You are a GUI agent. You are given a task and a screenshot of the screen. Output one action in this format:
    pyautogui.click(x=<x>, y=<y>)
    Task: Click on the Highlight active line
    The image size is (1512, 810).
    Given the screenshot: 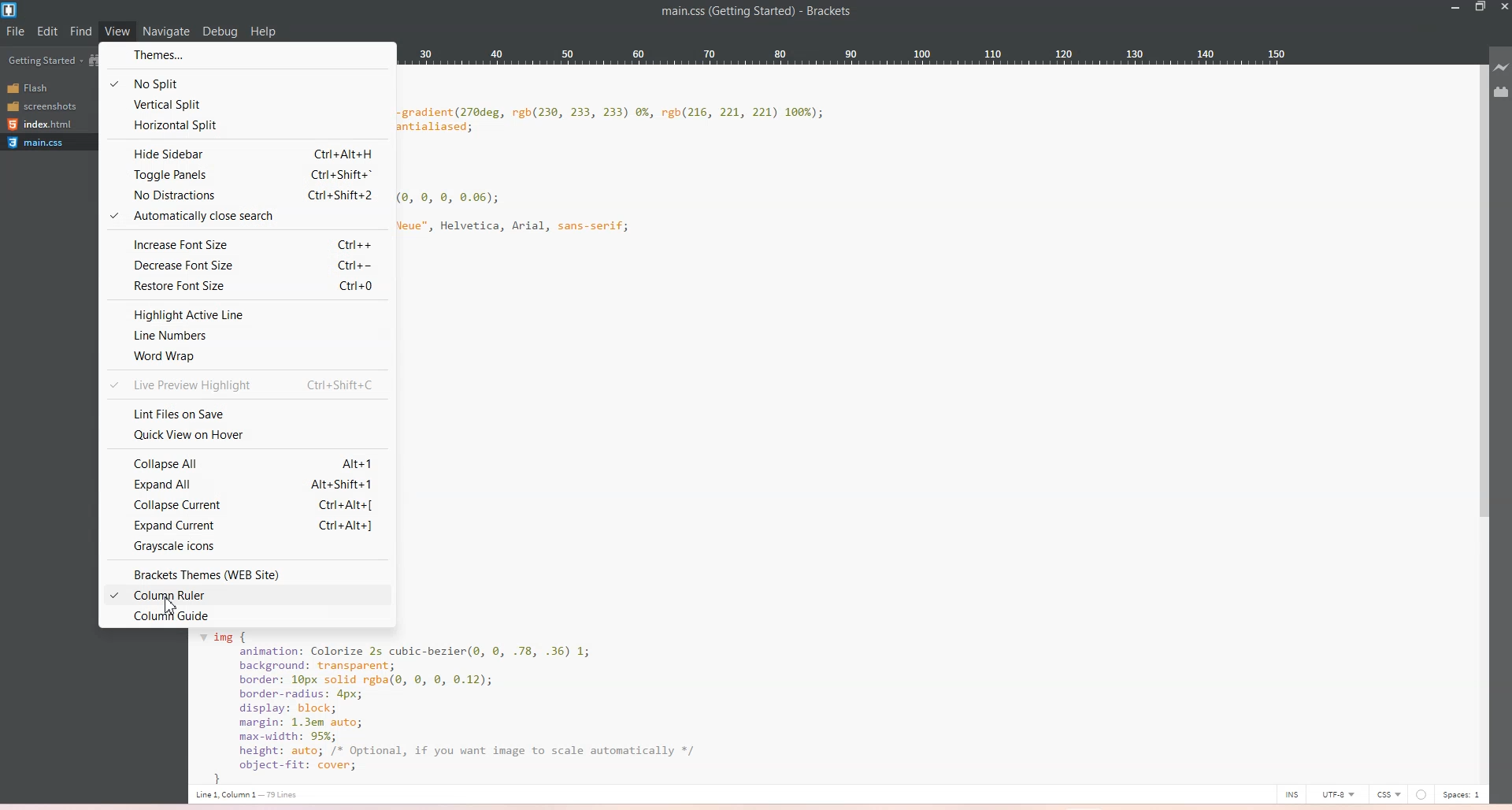 What is the action you would take?
    pyautogui.click(x=247, y=314)
    